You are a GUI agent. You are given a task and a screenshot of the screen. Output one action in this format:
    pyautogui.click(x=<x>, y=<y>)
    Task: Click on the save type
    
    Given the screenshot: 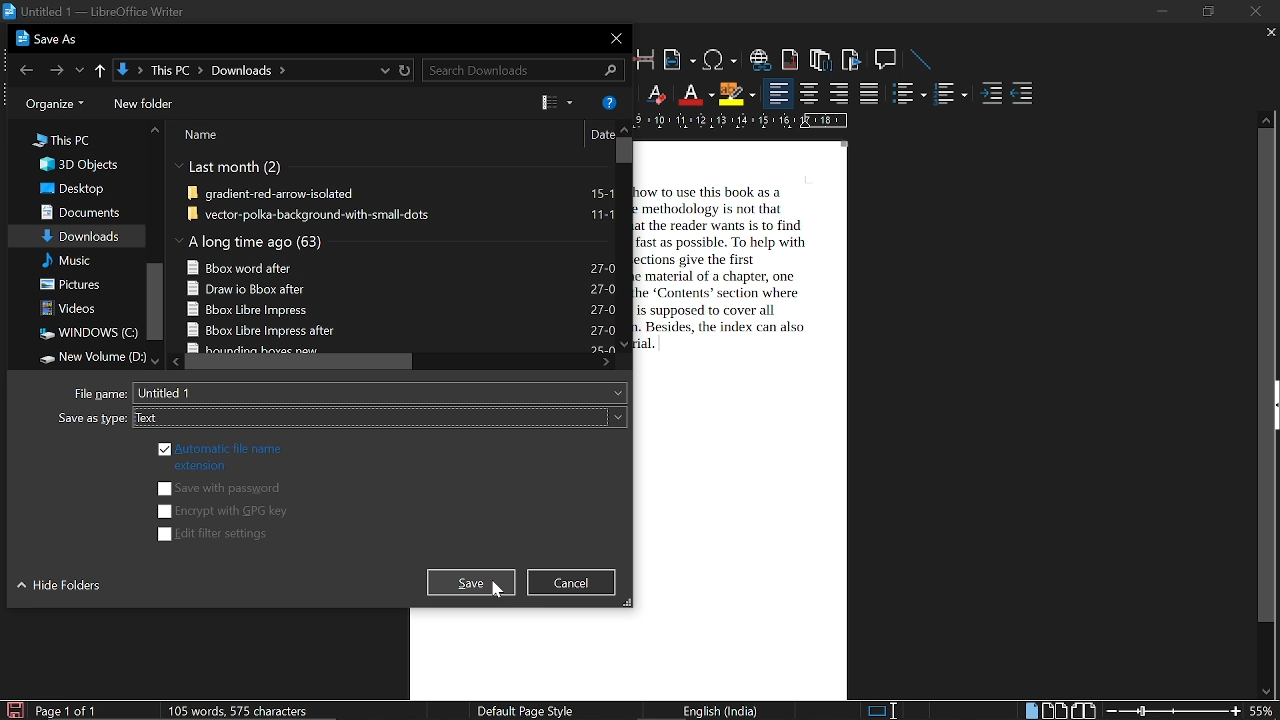 What is the action you would take?
    pyautogui.click(x=379, y=417)
    